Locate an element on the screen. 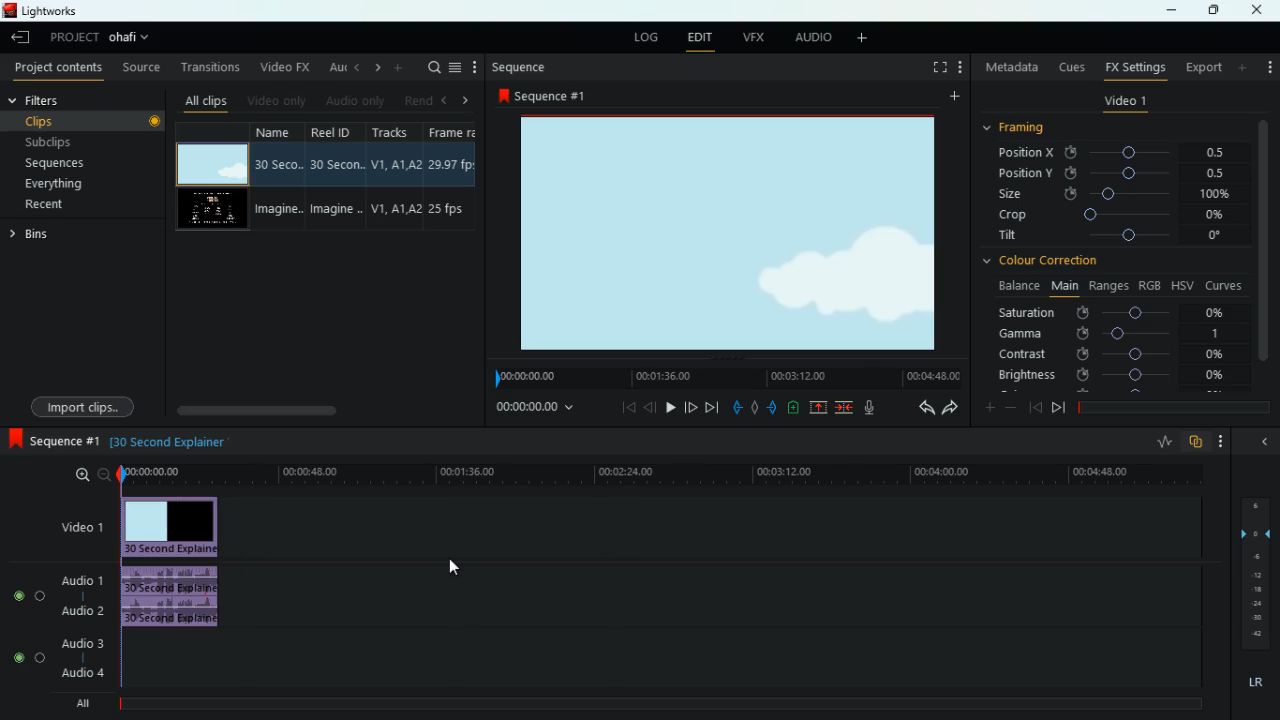  forward is located at coordinates (1058, 410).